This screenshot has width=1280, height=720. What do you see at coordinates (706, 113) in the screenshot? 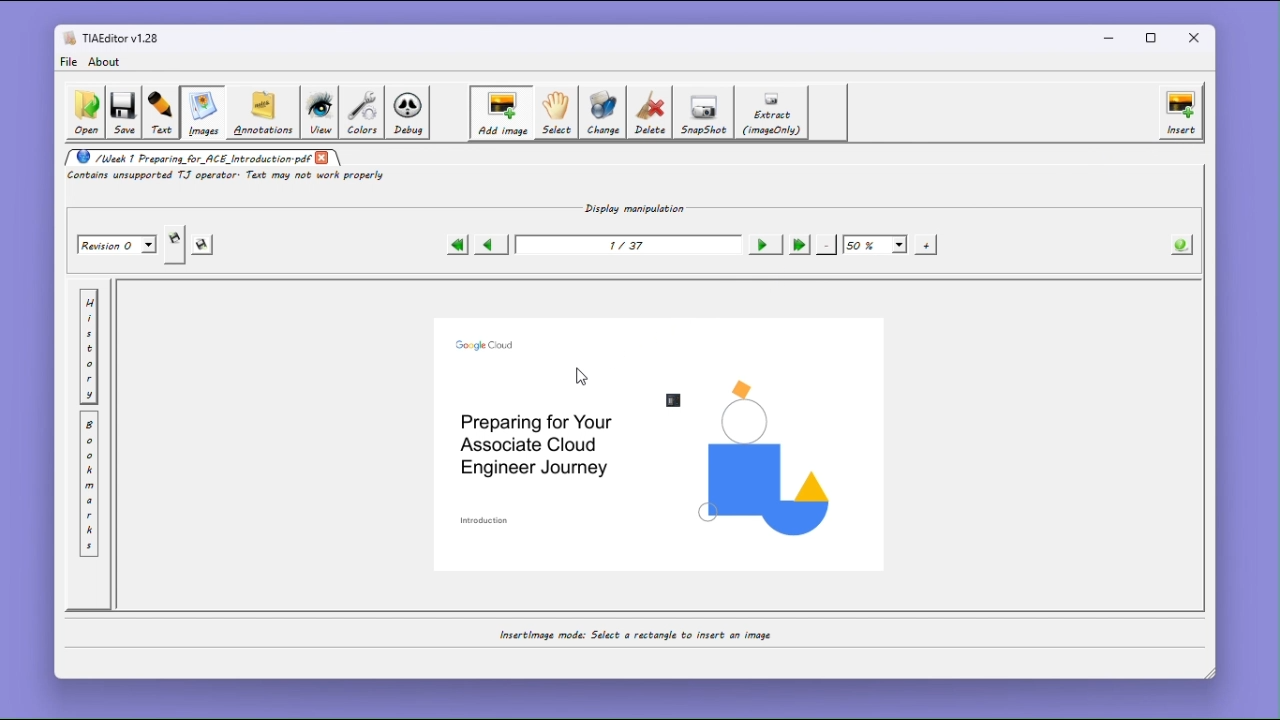
I see `SnapShot` at bounding box center [706, 113].